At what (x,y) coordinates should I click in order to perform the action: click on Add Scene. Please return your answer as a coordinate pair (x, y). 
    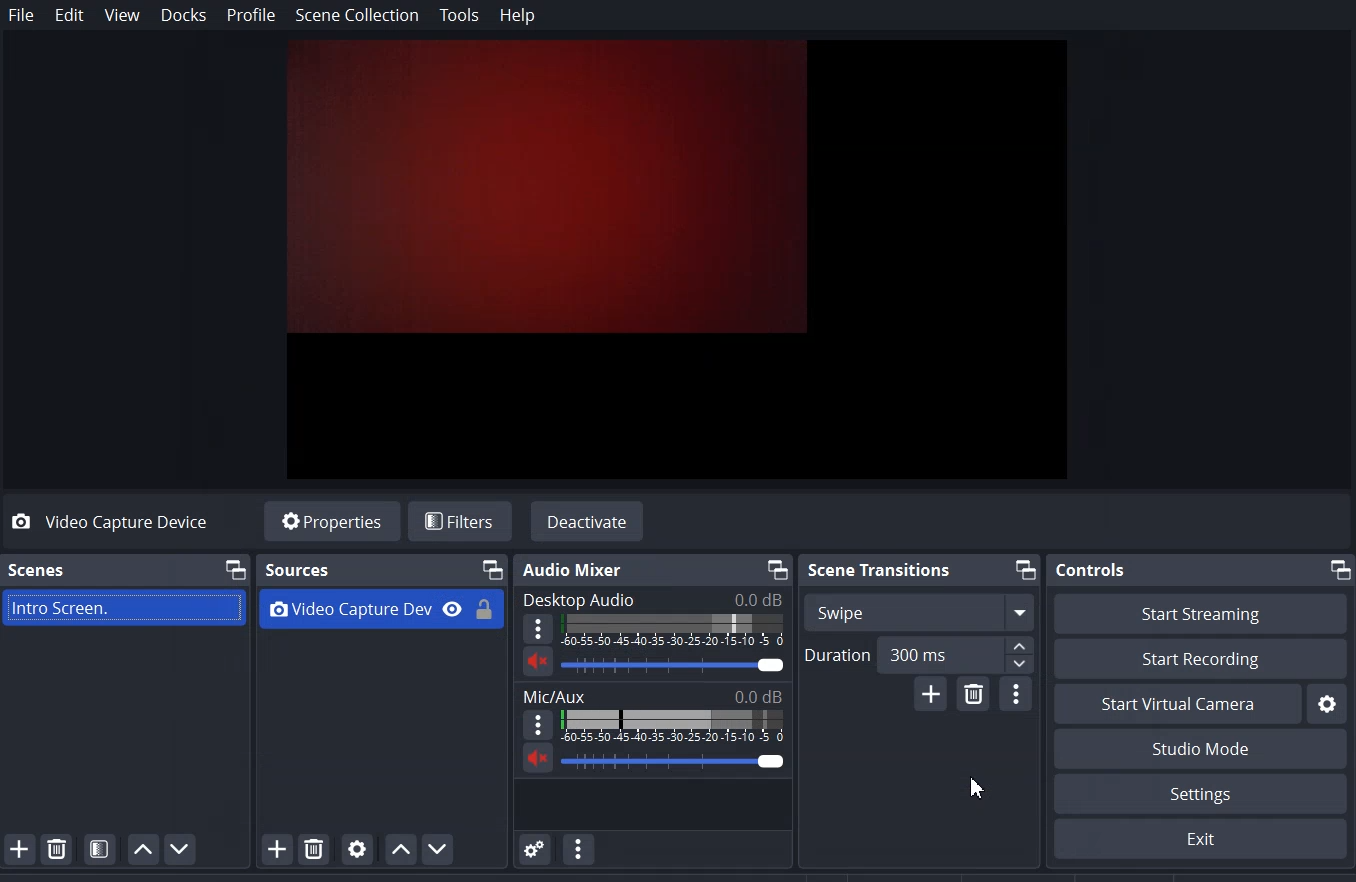
    Looking at the image, I should click on (19, 848).